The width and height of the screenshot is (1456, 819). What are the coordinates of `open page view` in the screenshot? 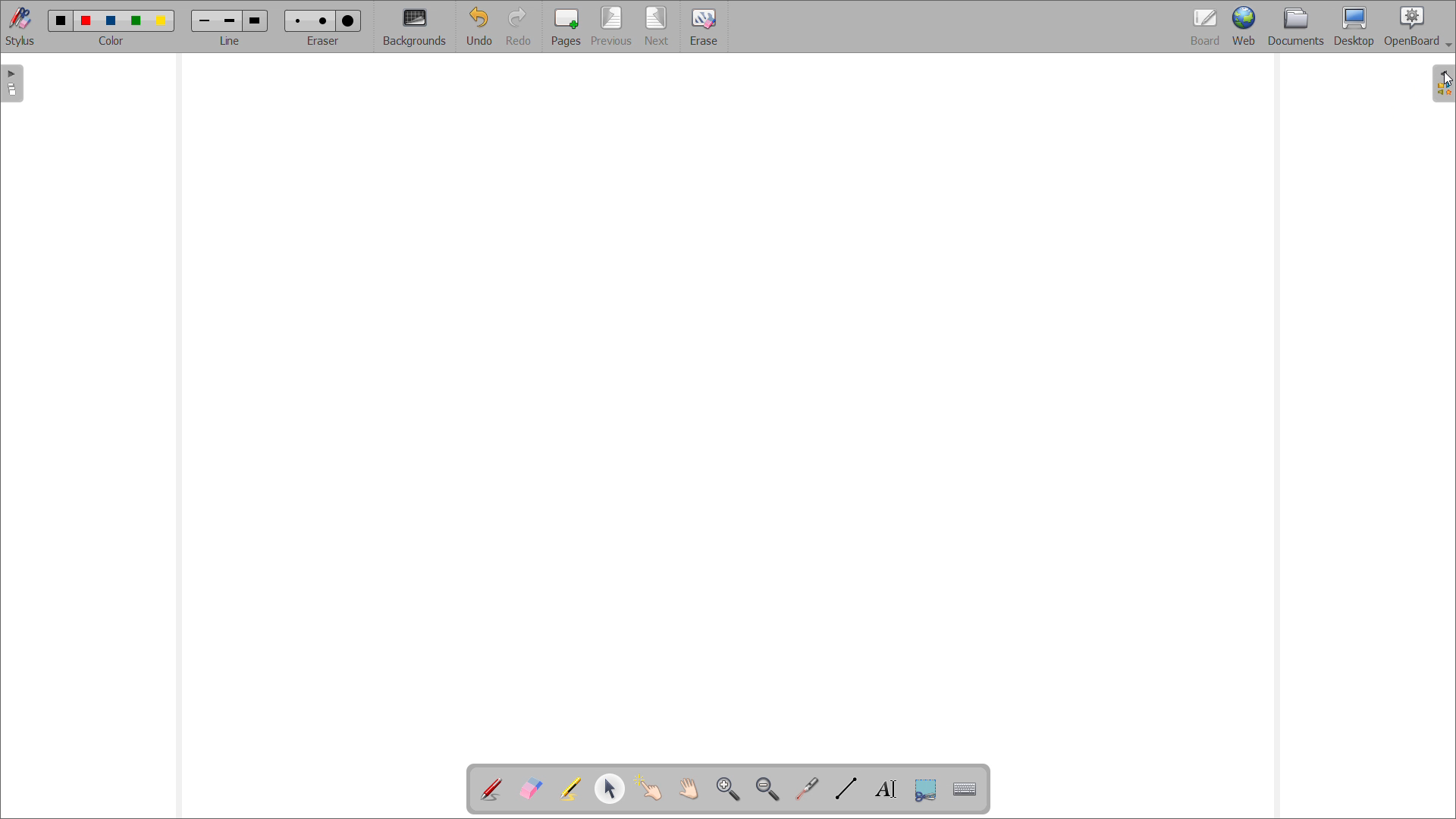 It's located at (12, 83).